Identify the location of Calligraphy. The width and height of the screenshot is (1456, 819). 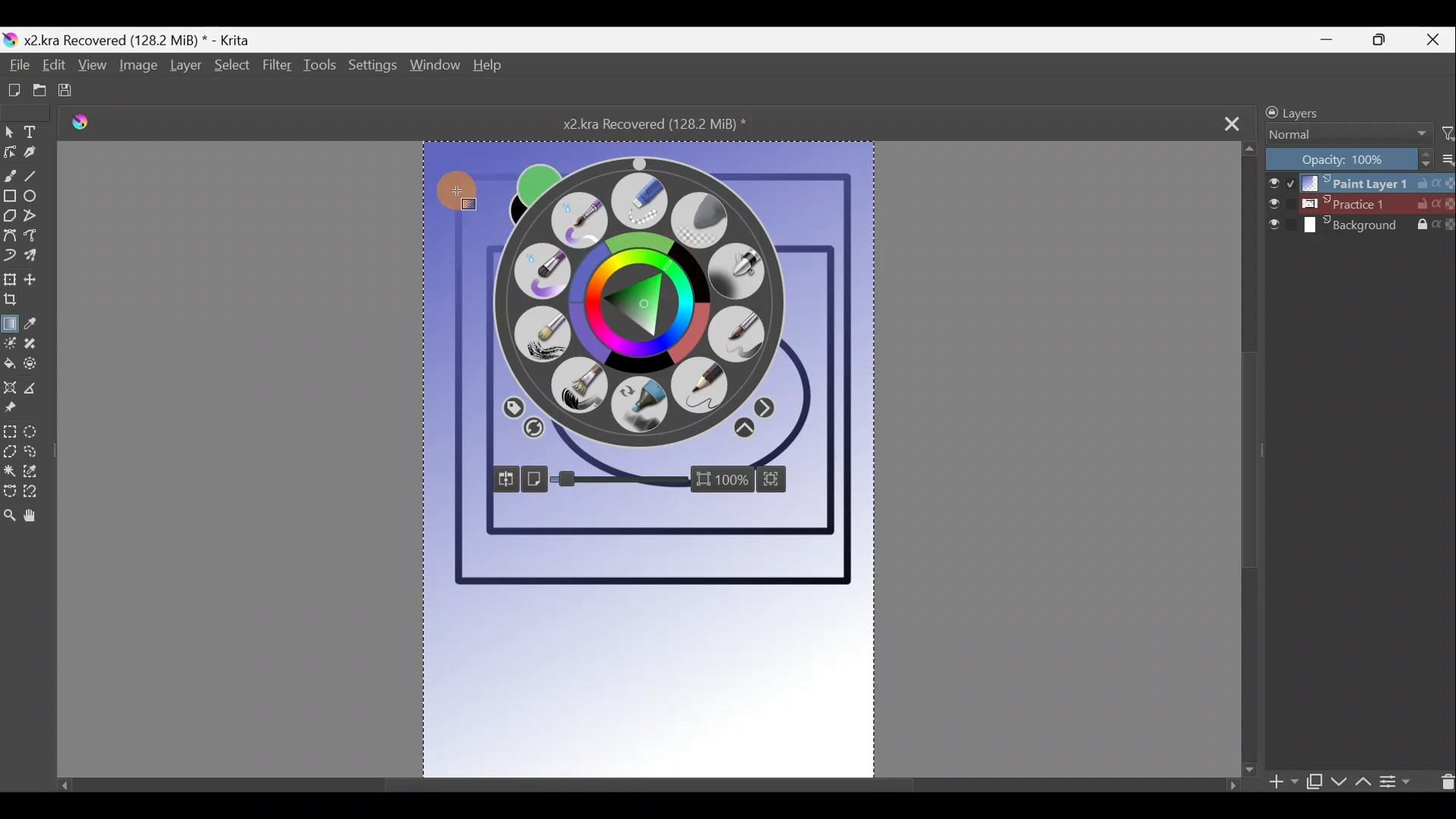
(30, 157).